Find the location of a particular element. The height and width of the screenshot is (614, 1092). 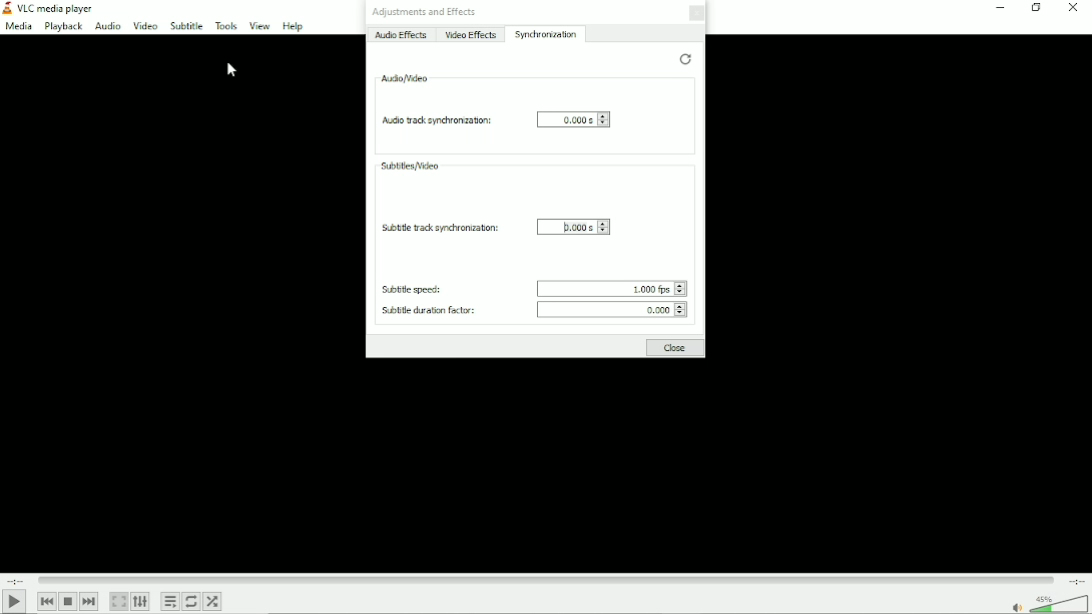

1.000 fps is located at coordinates (609, 286).